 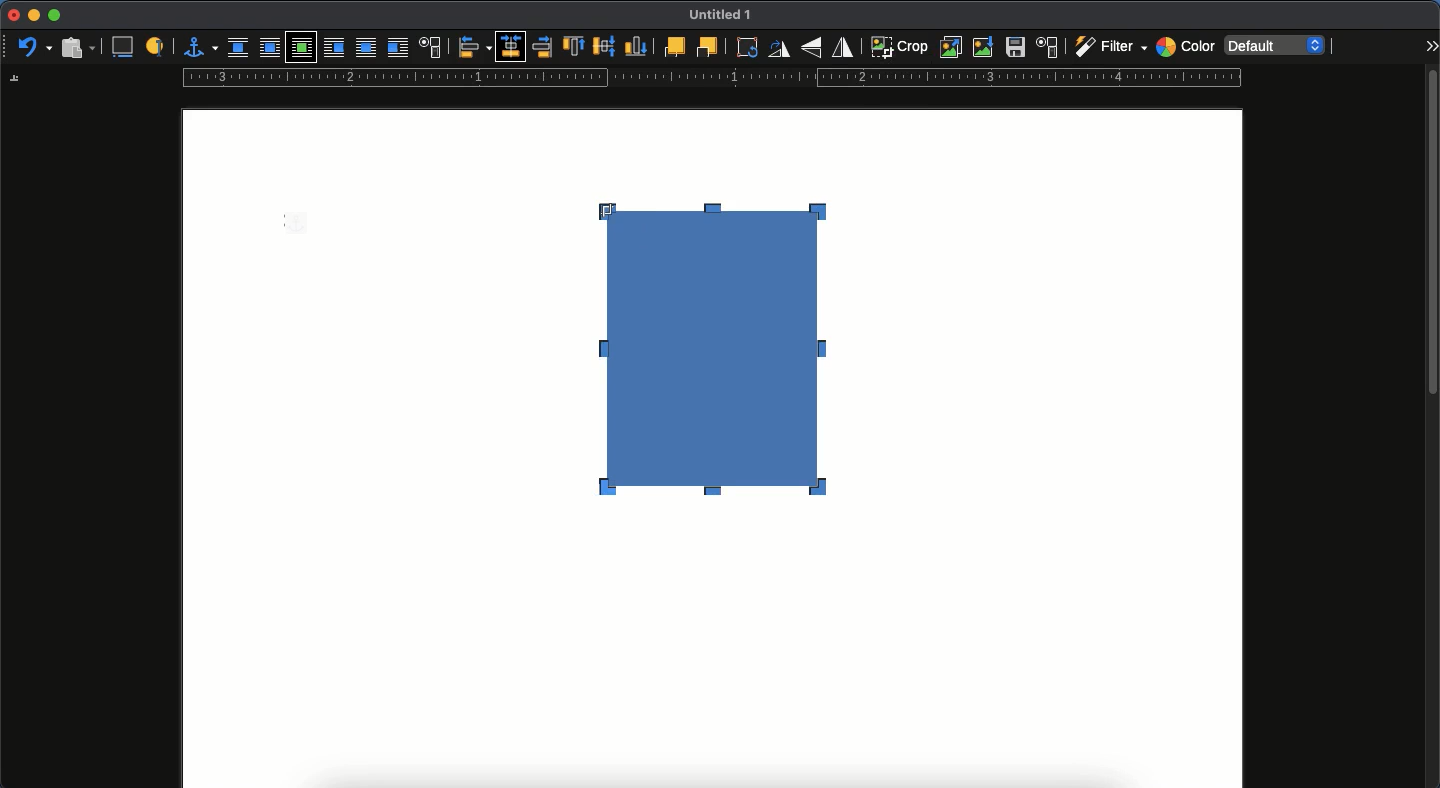 What do you see at coordinates (475, 47) in the screenshot?
I see `align objects` at bounding box center [475, 47].